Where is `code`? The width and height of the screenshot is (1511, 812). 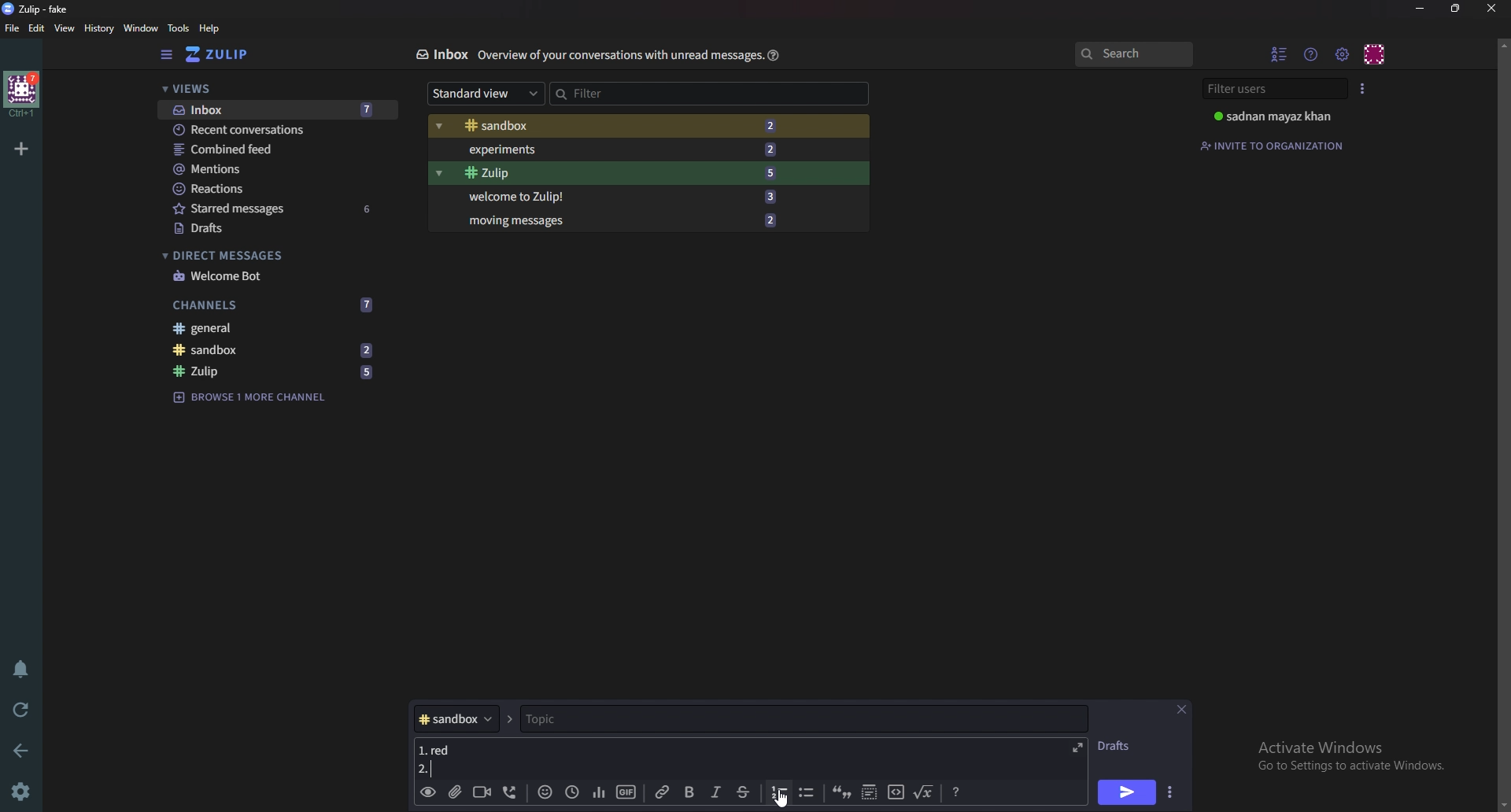 code is located at coordinates (895, 794).